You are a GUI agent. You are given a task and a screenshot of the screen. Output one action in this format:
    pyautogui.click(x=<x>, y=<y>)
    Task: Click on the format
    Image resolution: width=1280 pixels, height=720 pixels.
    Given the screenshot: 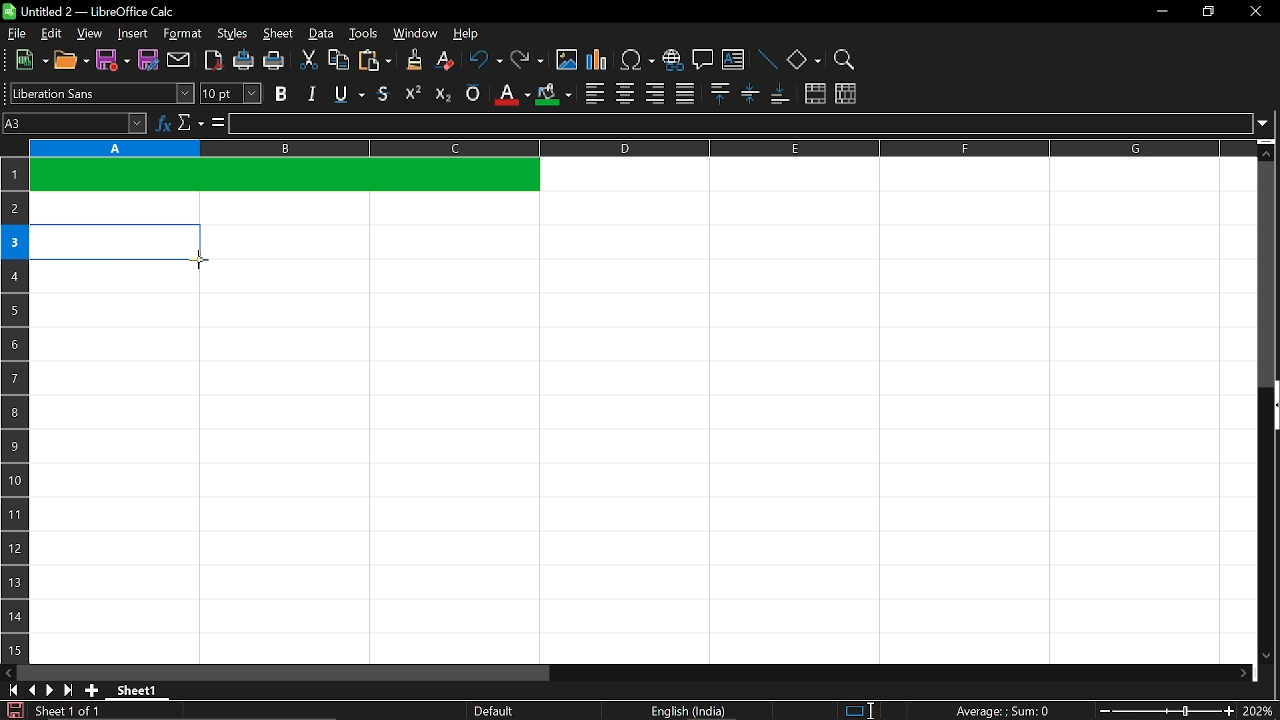 What is the action you would take?
    pyautogui.click(x=183, y=34)
    